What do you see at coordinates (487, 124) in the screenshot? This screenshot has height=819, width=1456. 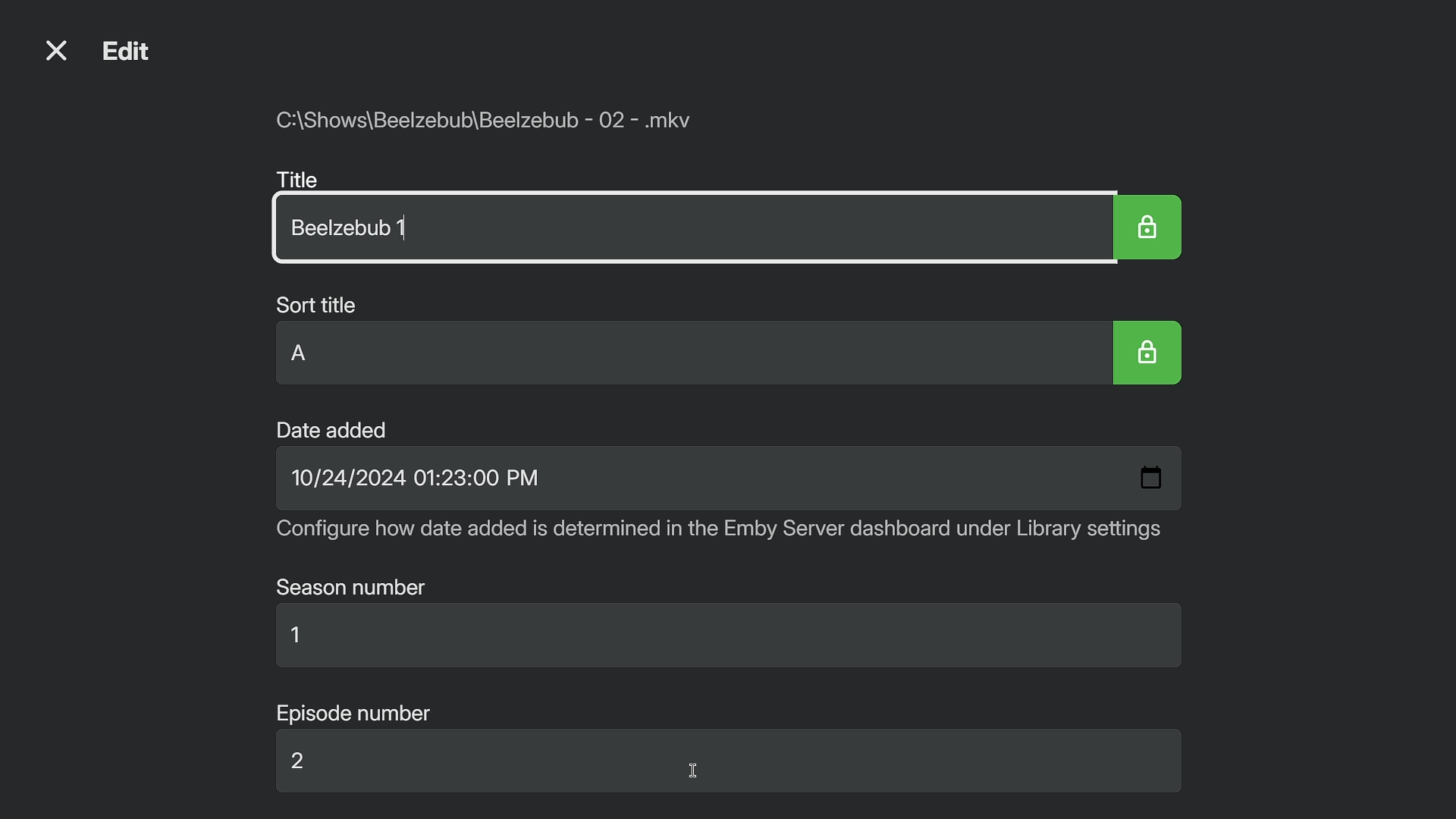 I see `File path` at bounding box center [487, 124].